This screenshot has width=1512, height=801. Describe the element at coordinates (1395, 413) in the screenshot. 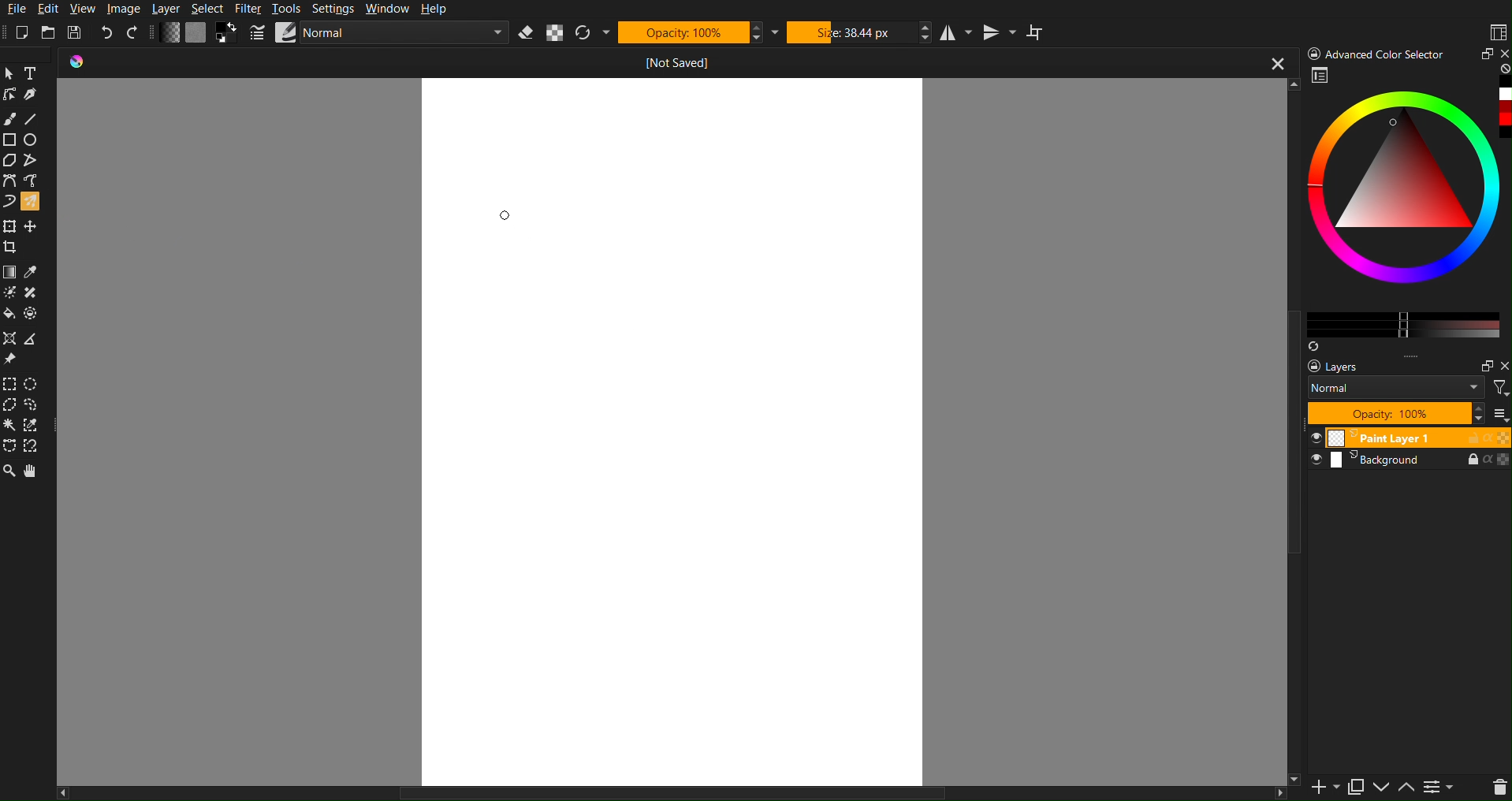

I see `Opacity 100%` at that location.